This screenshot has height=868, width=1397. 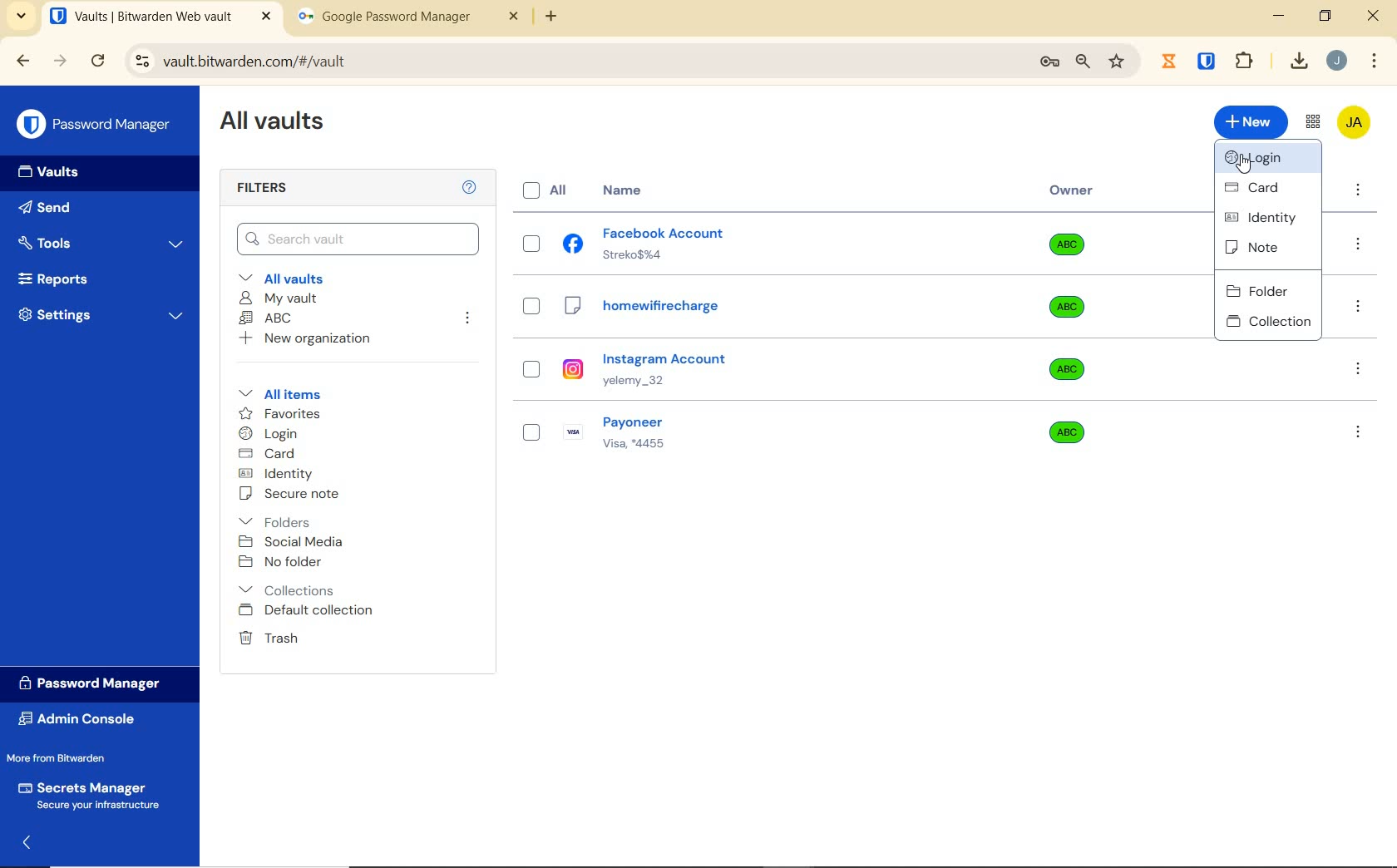 What do you see at coordinates (101, 244) in the screenshot?
I see `Tools` at bounding box center [101, 244].